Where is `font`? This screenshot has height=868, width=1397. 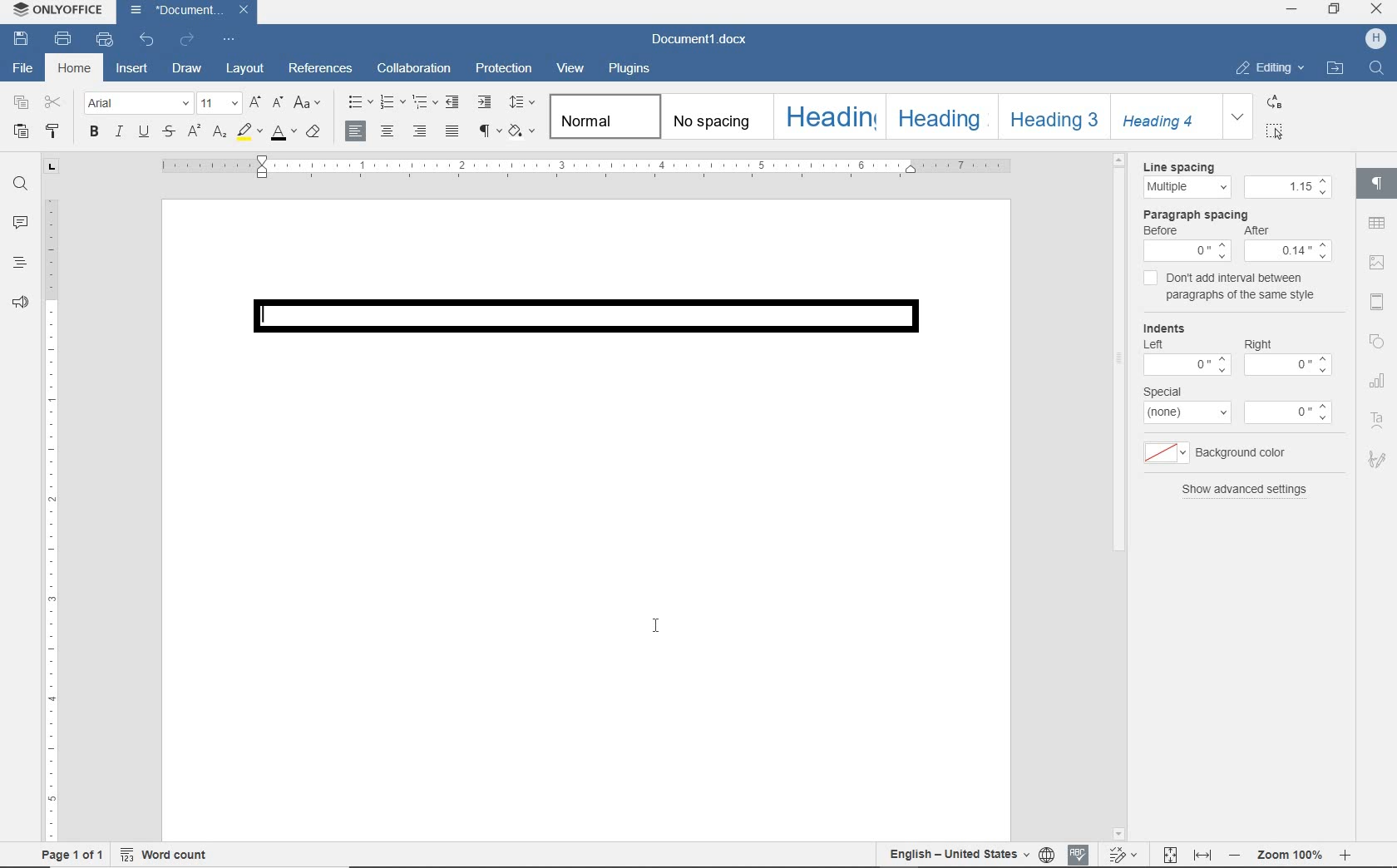
font is located at coordinates (136, 103).